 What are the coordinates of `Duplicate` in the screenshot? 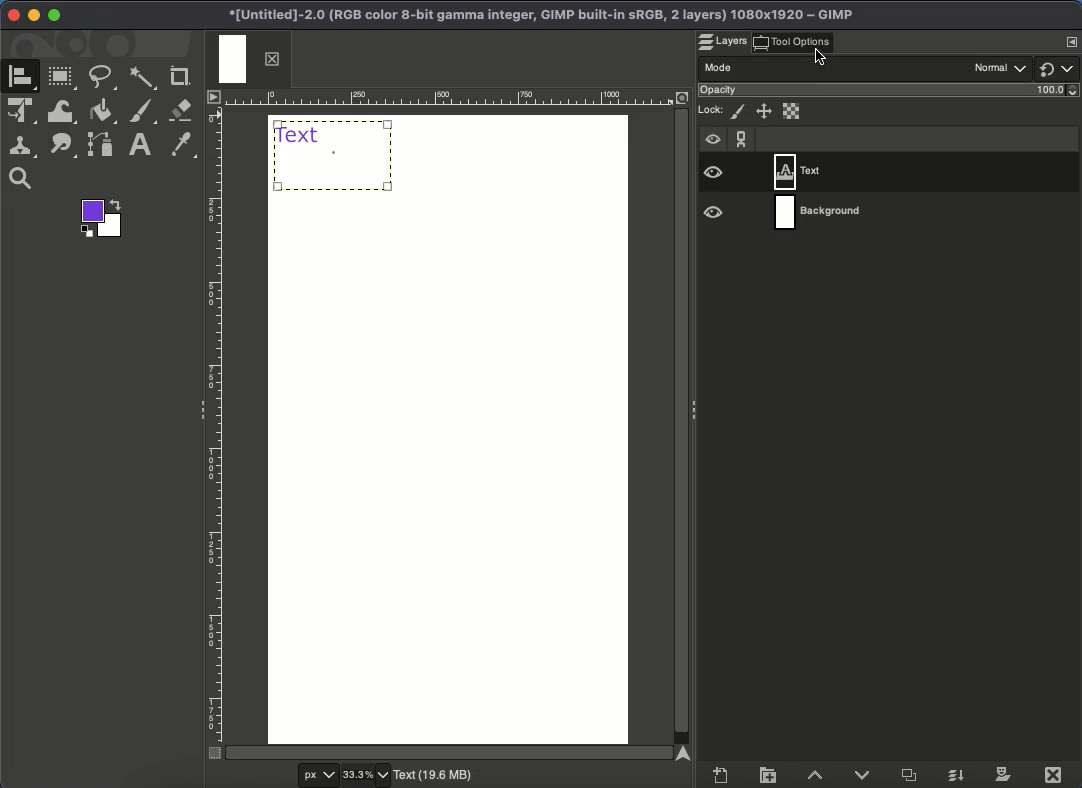 It's located at (912, 776).